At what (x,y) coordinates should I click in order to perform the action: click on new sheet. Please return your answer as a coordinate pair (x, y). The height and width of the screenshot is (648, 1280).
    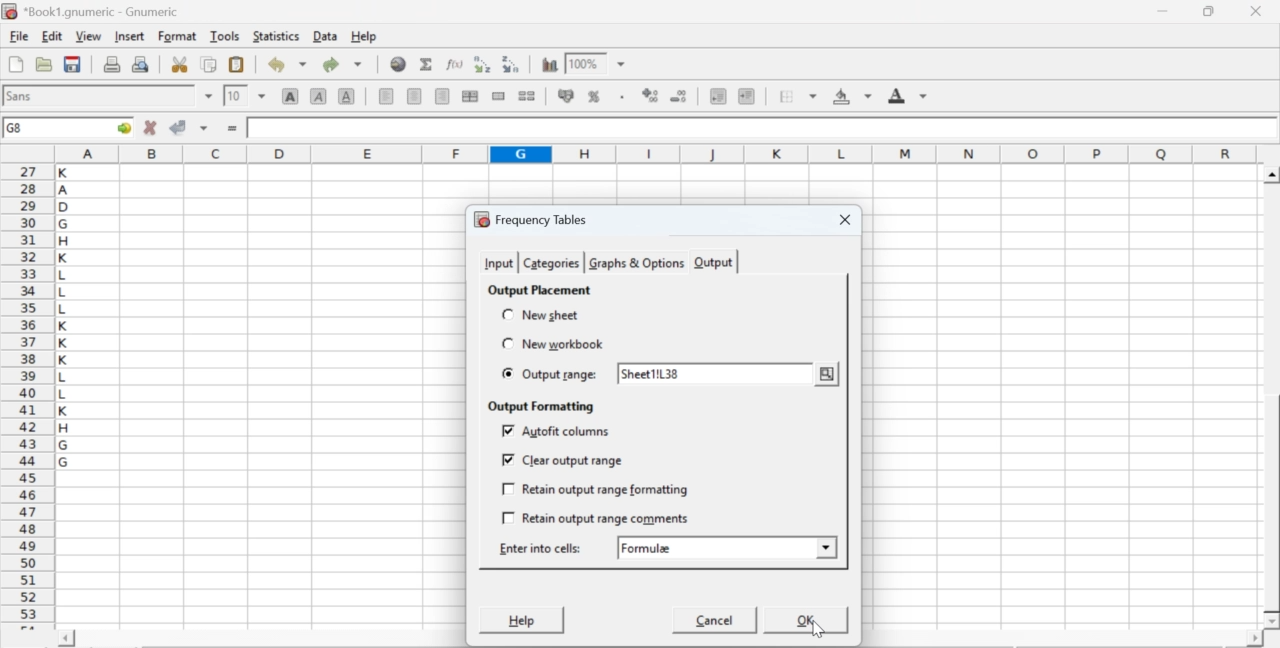
    Looking at the image, I should click on (542, 314).